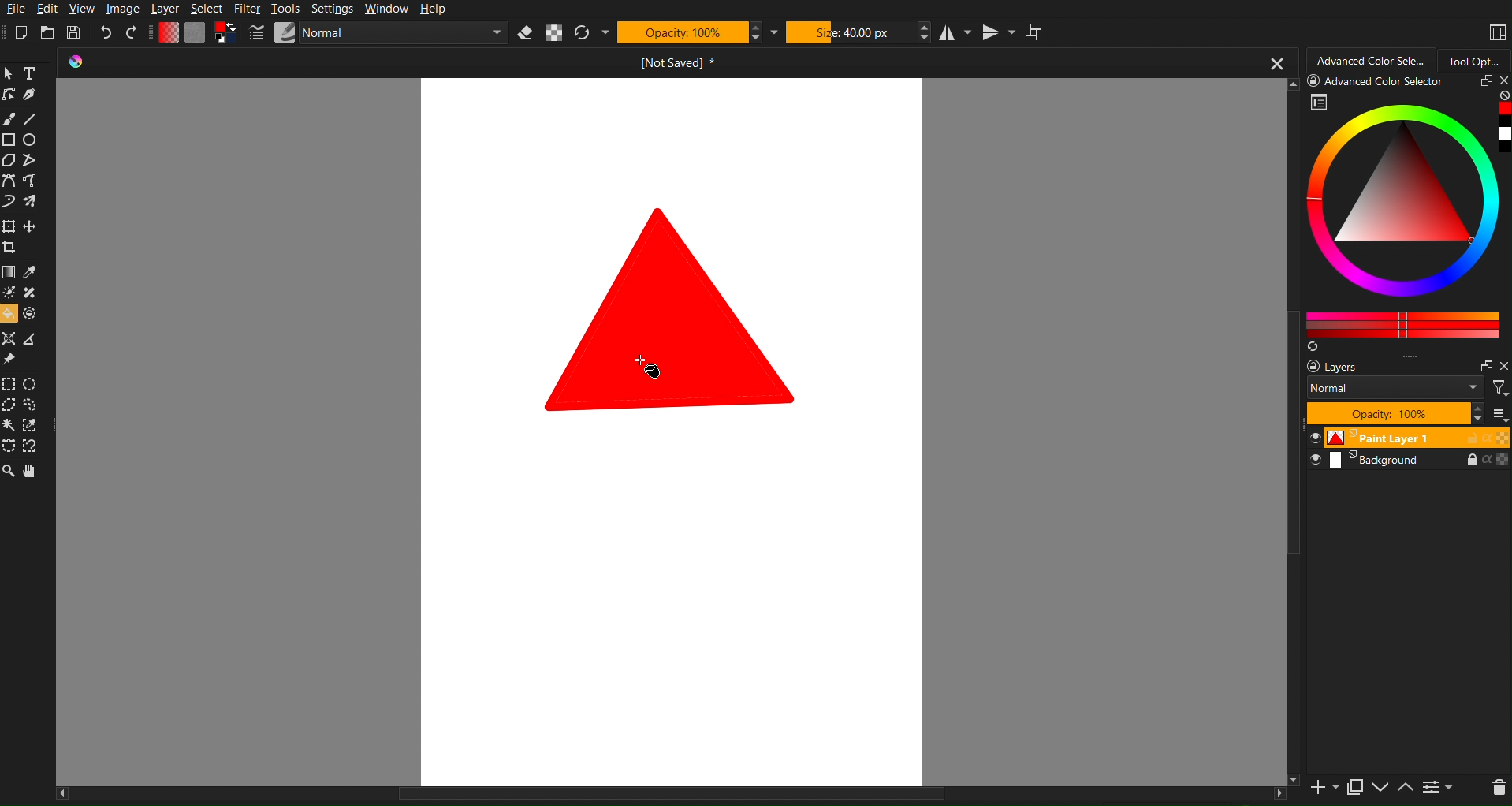 Image resolution: width=1512 pixels, height=806 pixels. Describe the element at coordinates (583, 33) in the screenshot. I see `Refresh` at that location.